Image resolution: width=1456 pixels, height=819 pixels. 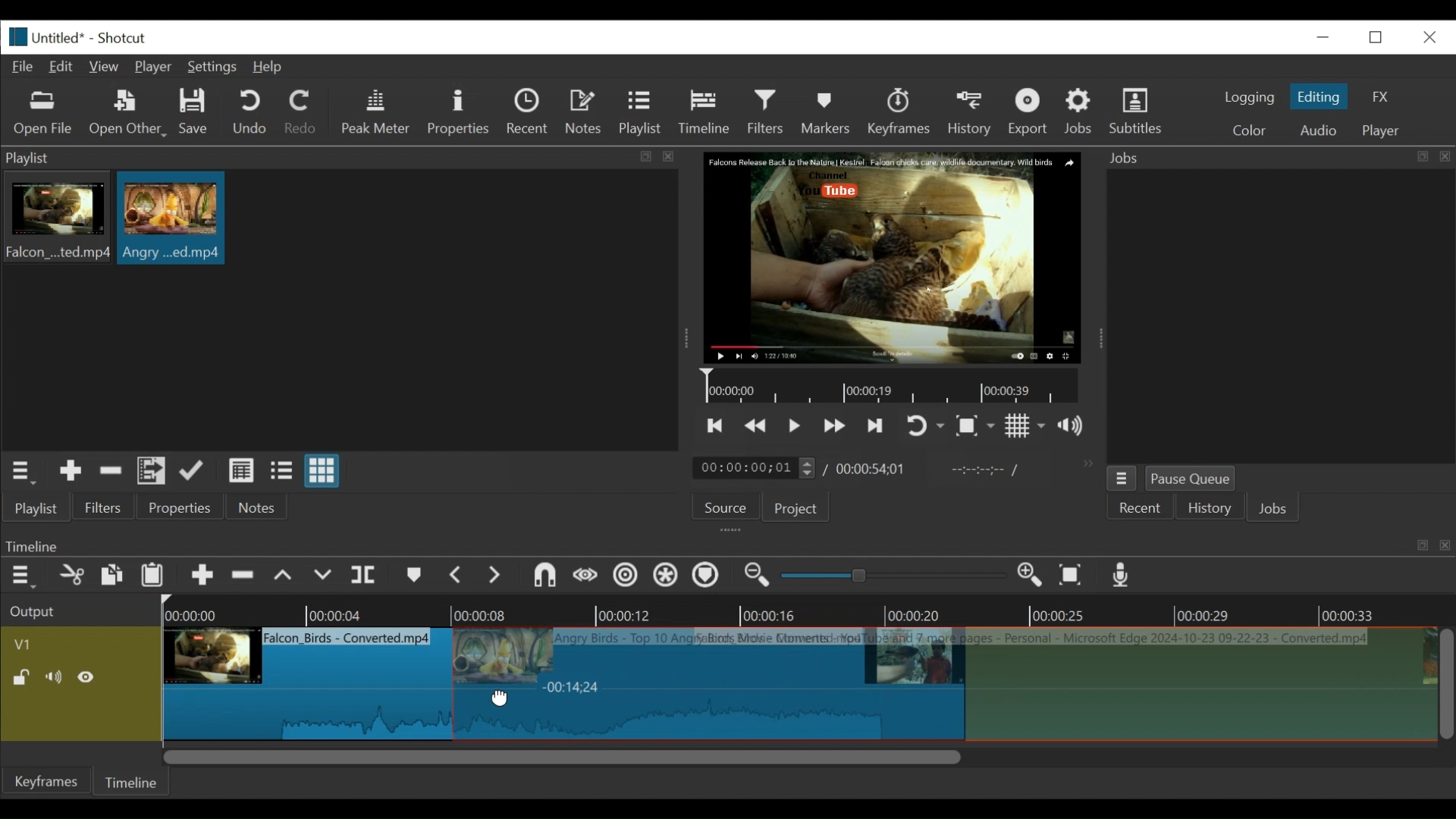 What do you see at coordinates (24, 470) in the screenshot?
I see `playlist menu` at bounding box center [24, 470].